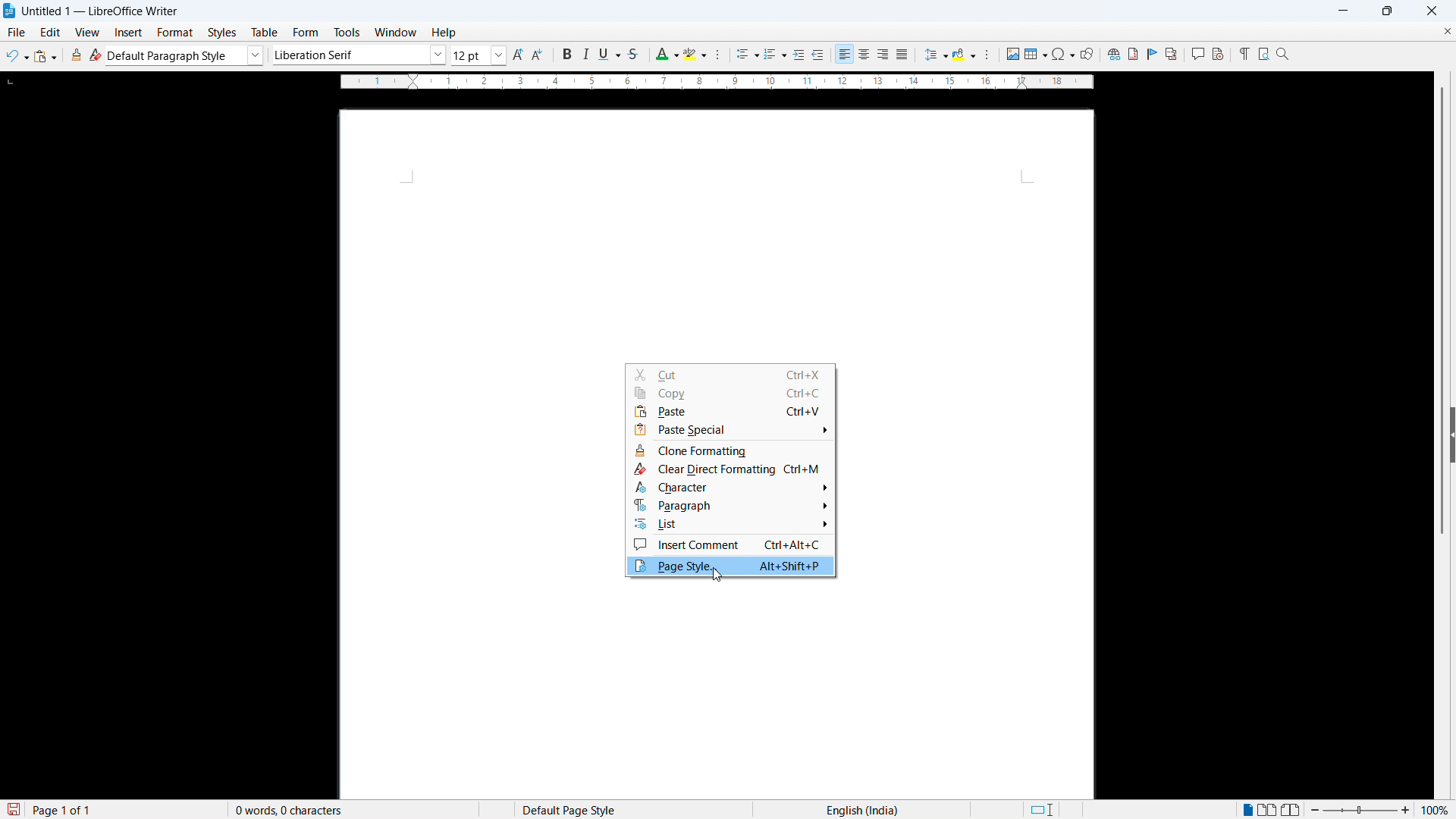 Image resolution: width=1456 pixels, height=819 pixels. What do you see at coordinates (1012, 53) in the screenshot?
I see `Add image ` at bounding box center [1012, 53].